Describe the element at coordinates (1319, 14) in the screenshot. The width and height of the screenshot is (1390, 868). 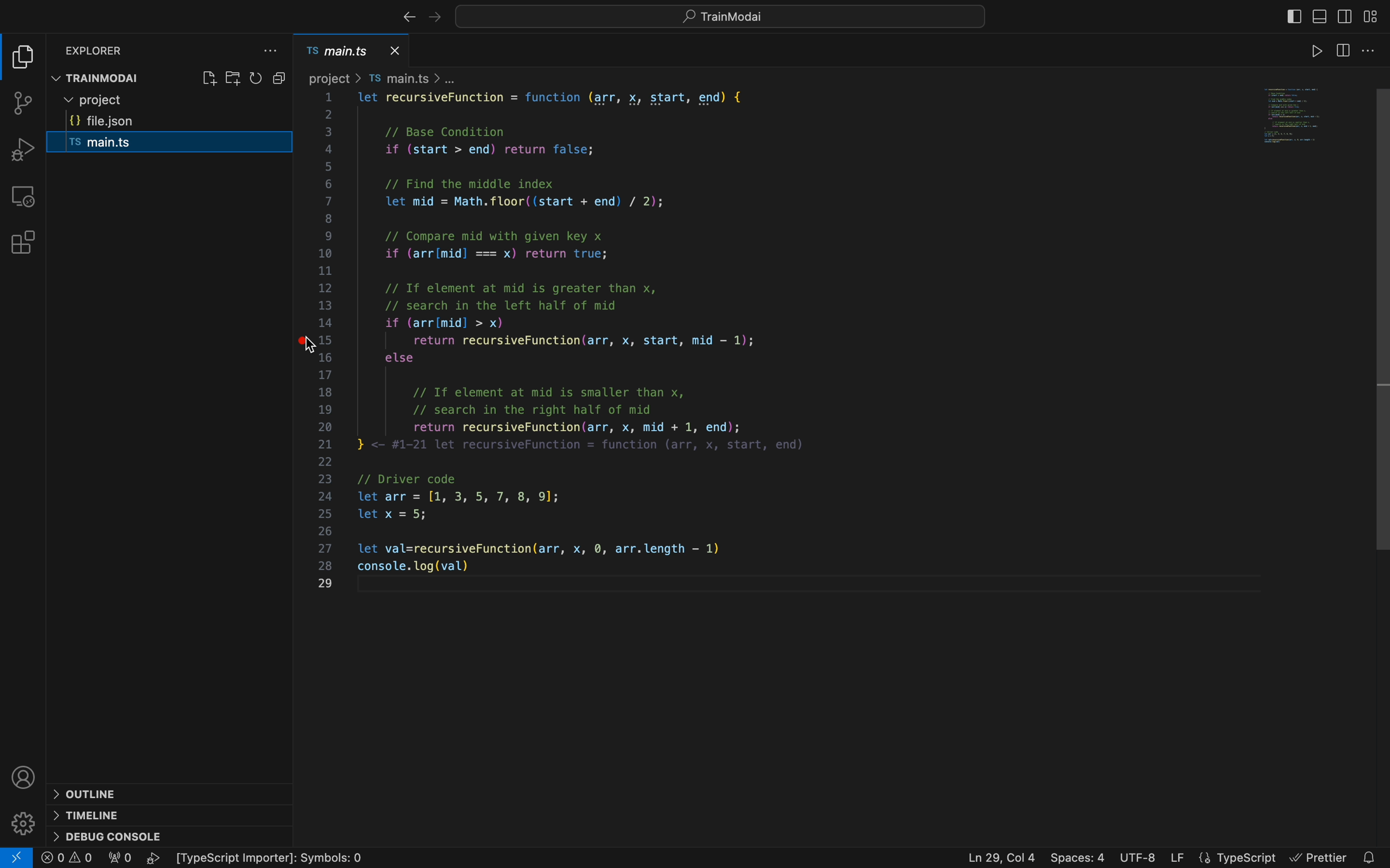
I see `toggle primary bar` at that location.